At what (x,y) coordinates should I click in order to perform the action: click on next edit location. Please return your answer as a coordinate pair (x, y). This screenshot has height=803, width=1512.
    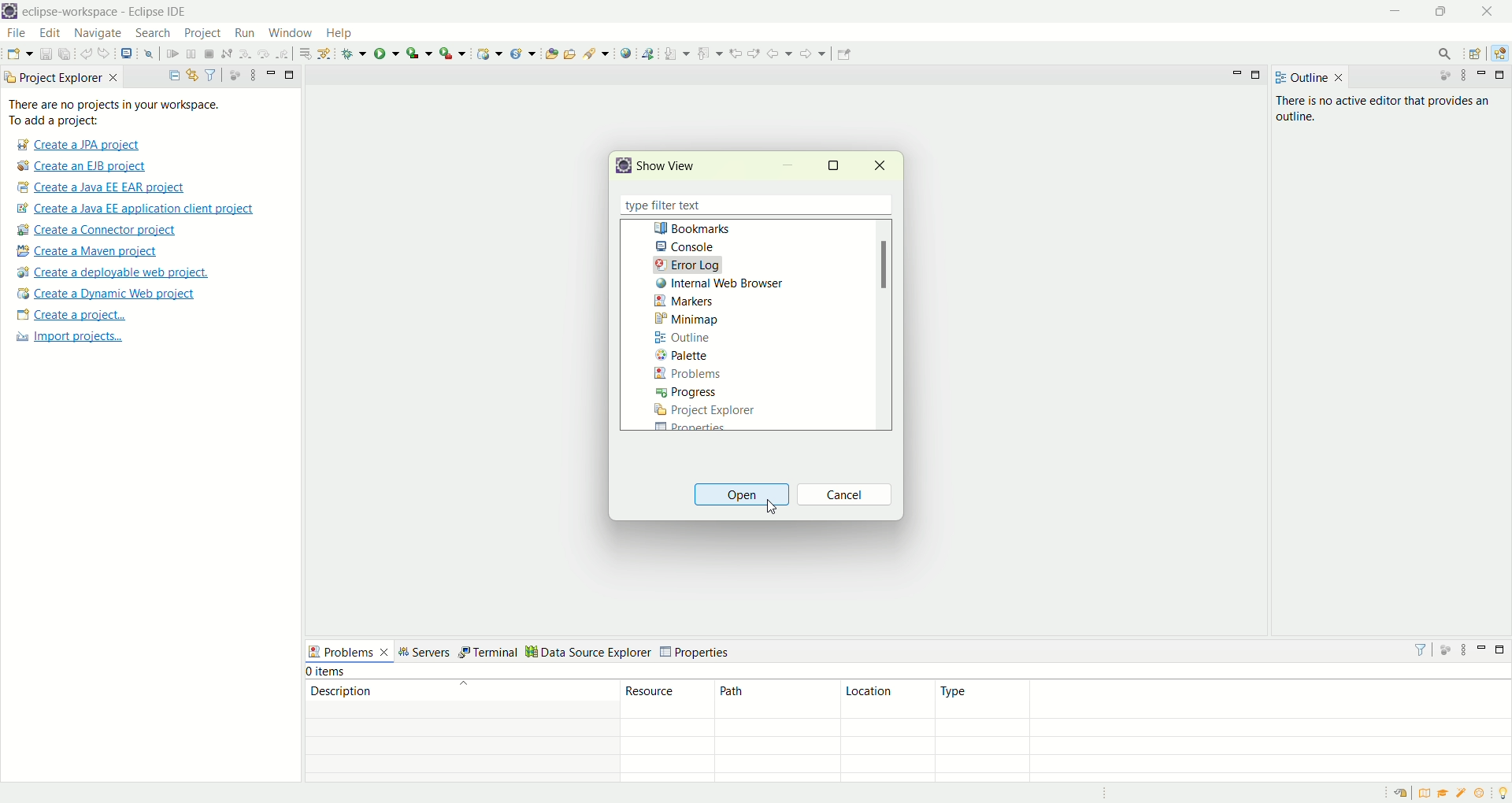
    Looking at the image, I should click on (754, 52).